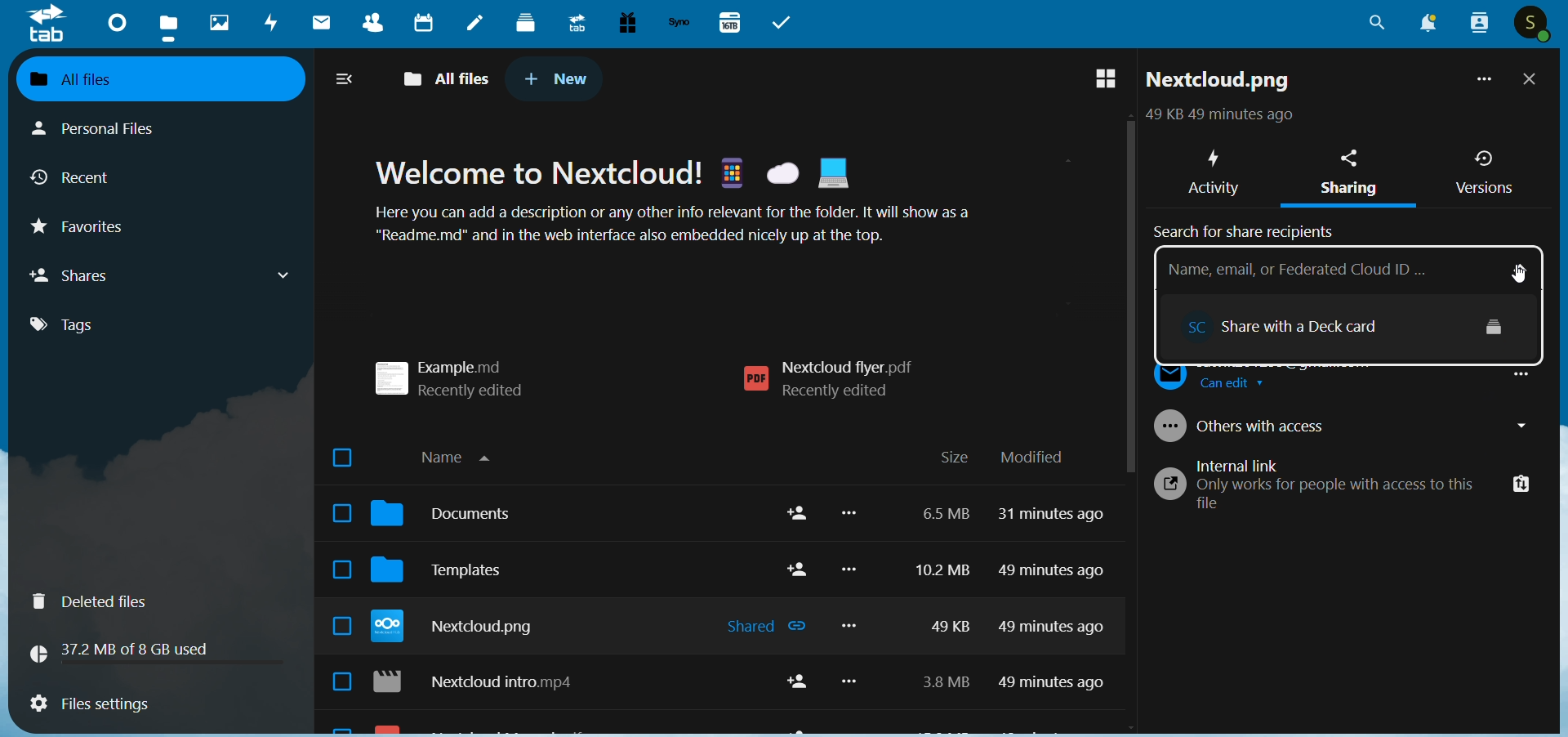 The image size is (1568, 737). I want to click on dock, so click(526, 22).